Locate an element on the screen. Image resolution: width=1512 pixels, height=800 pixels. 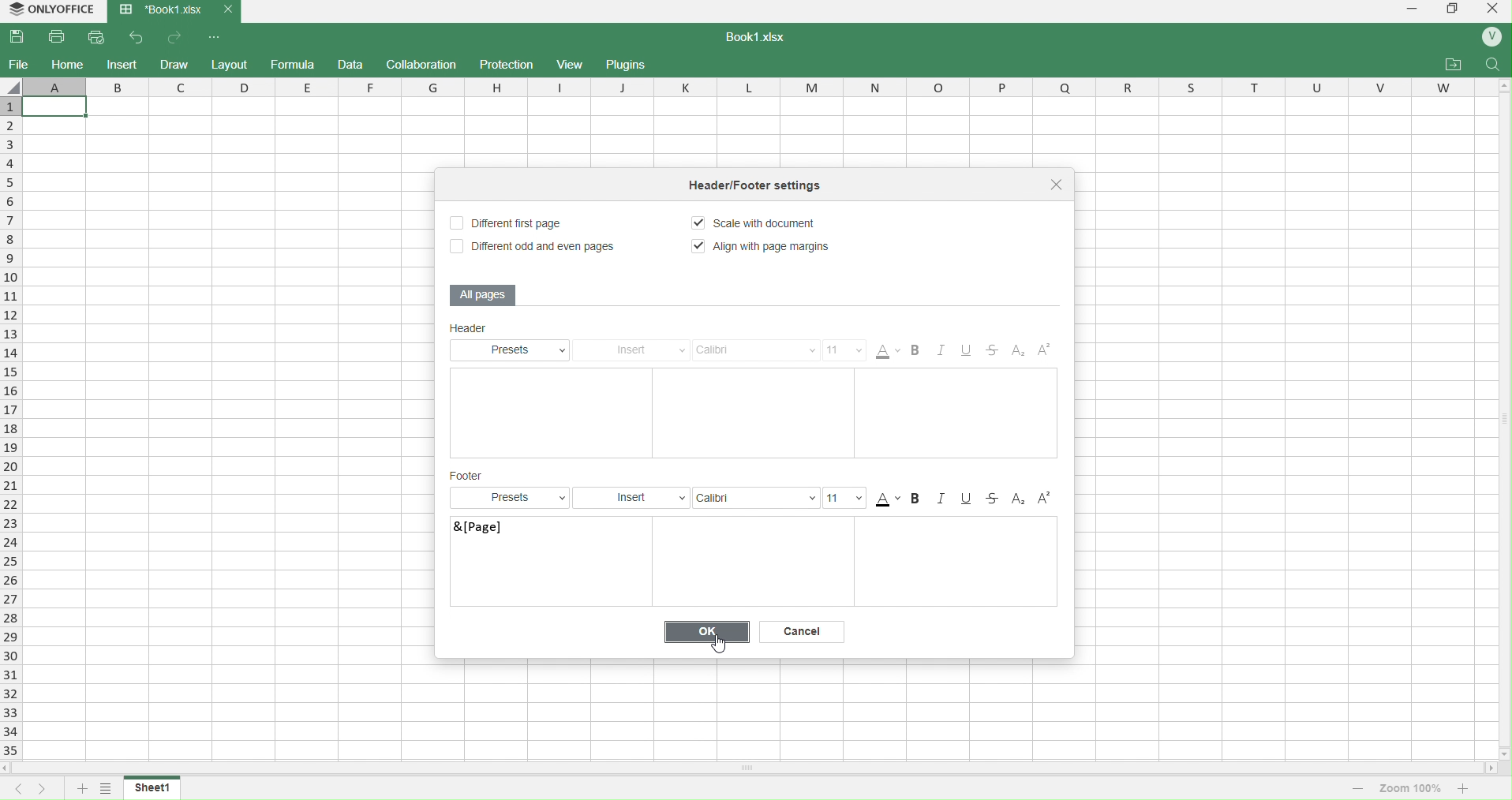
cursor is located at coordinates (720, 644).